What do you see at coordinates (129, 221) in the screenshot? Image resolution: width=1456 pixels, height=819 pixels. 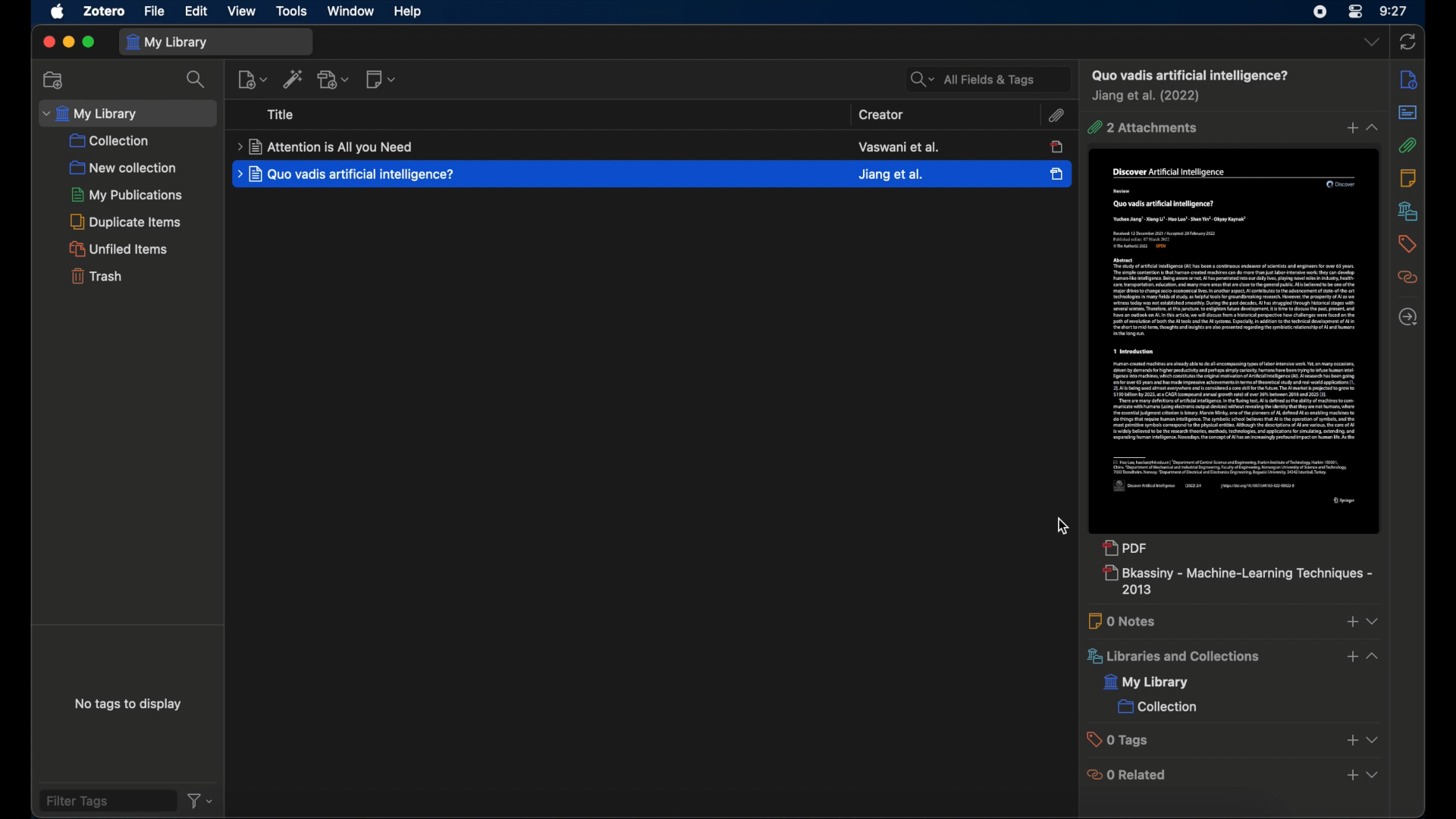 I see `duplicate items` at bounding box center [129, 221].